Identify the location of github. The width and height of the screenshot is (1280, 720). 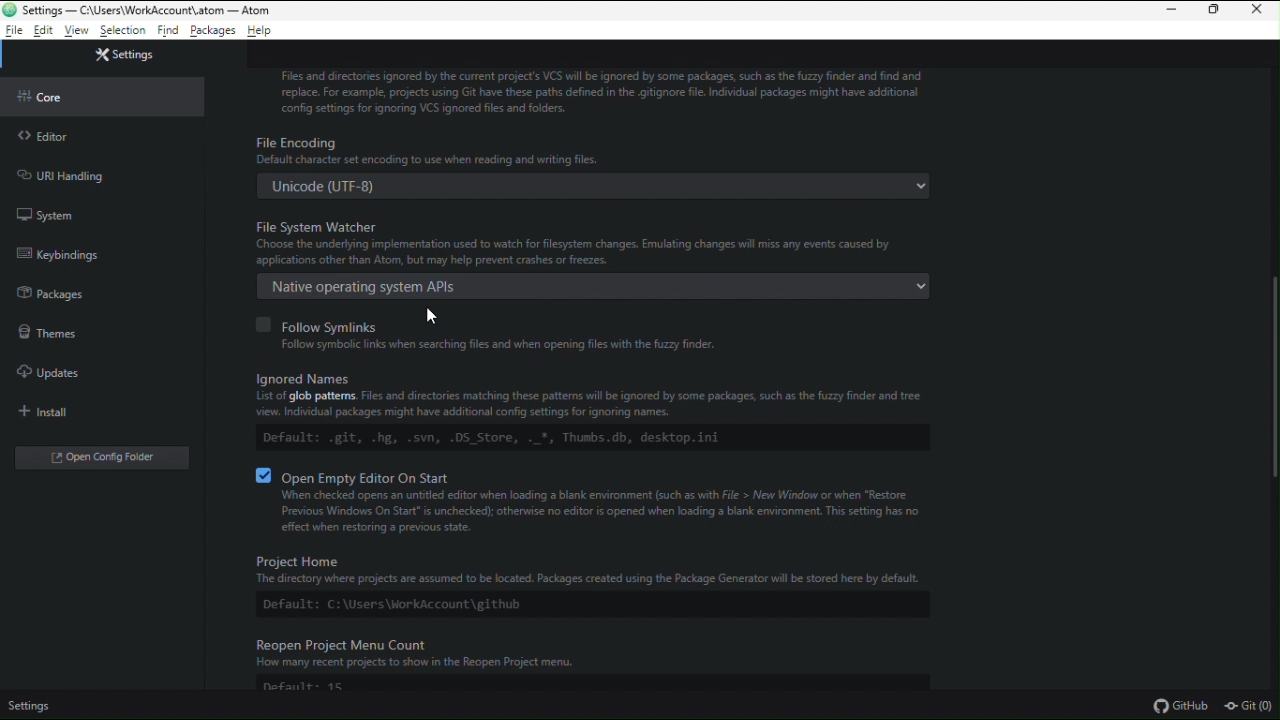
(1179, 705).